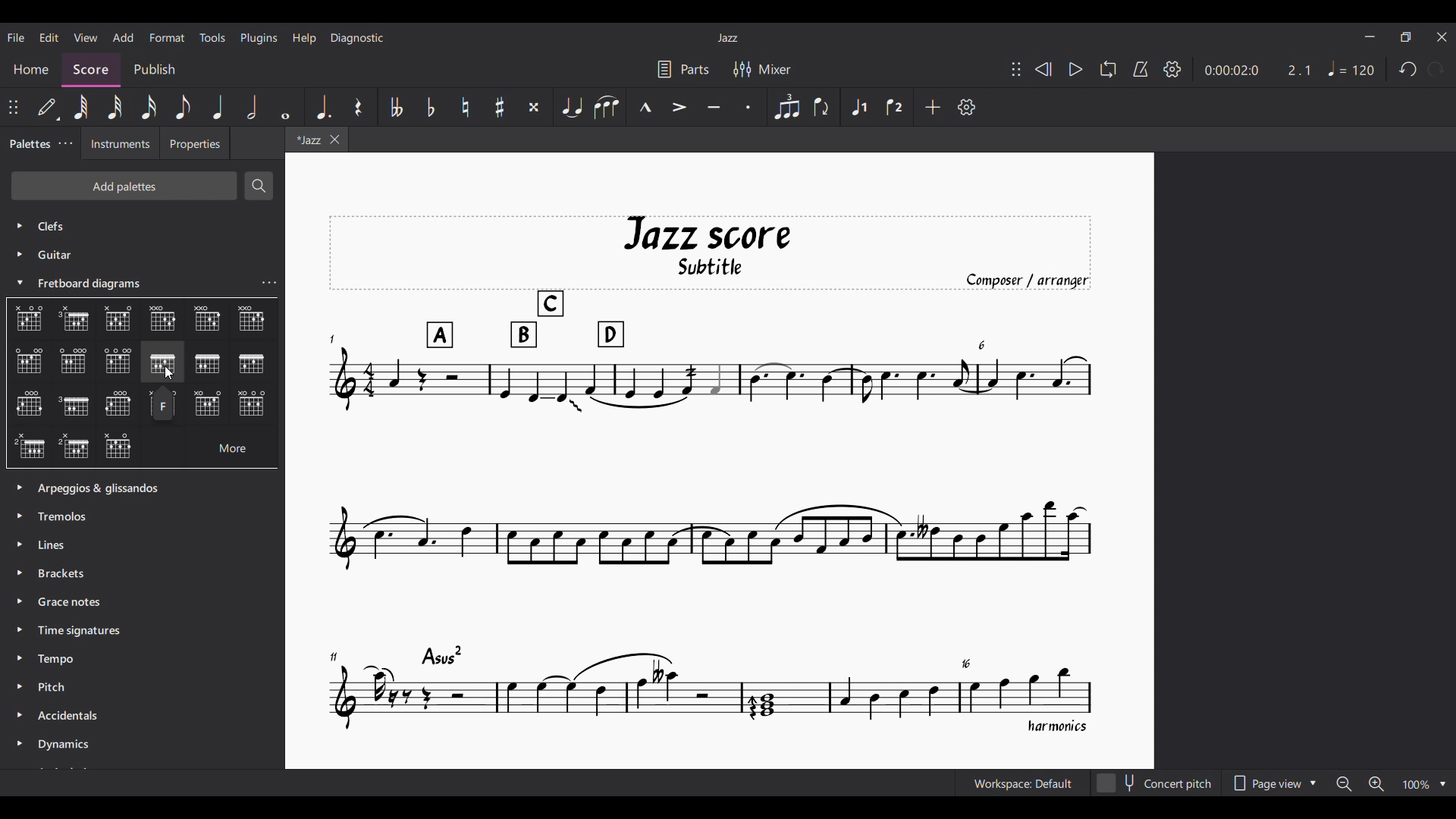 Image resolution: width=1456 pixels, height=819 pixels. What do you see at coordinates (431, 107) in the screenshot?
I see `Toggle flat` at bounding box center [431, 107].